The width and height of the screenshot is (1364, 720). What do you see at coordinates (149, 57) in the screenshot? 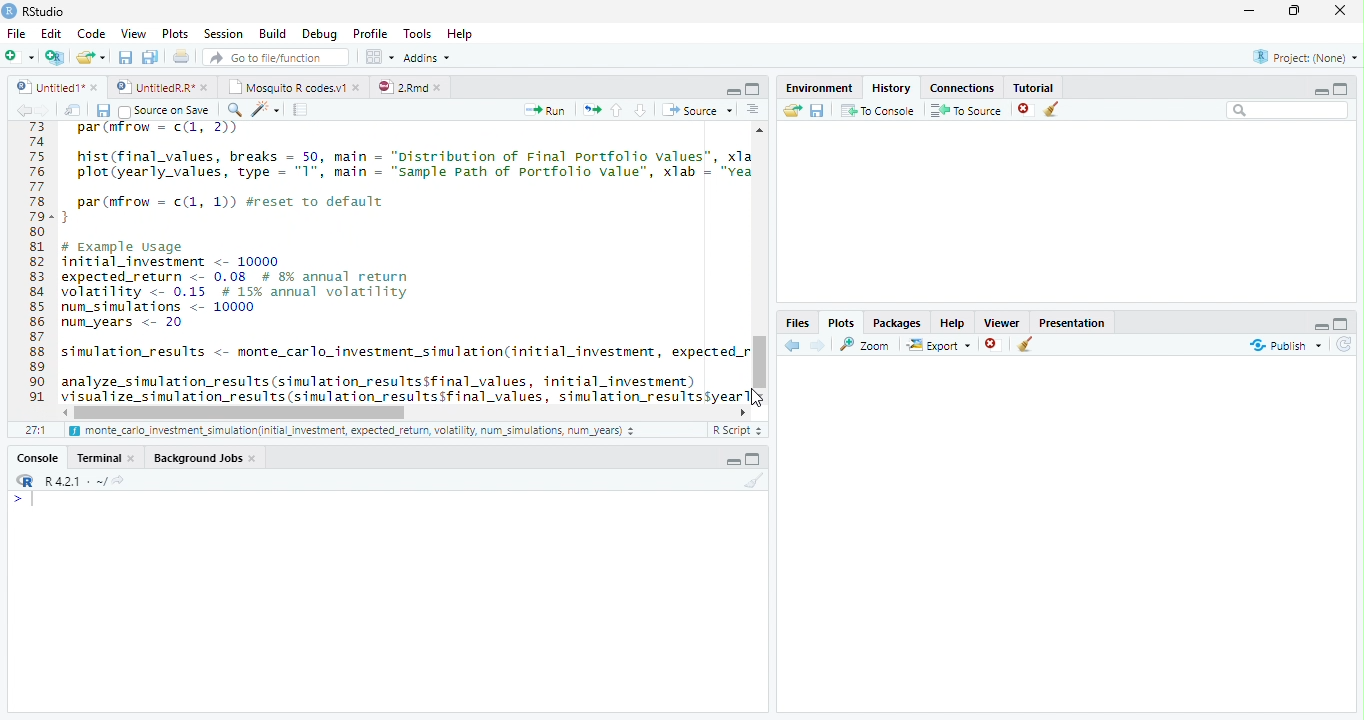
I see `Save all open files` at bounding box center [149, 57].